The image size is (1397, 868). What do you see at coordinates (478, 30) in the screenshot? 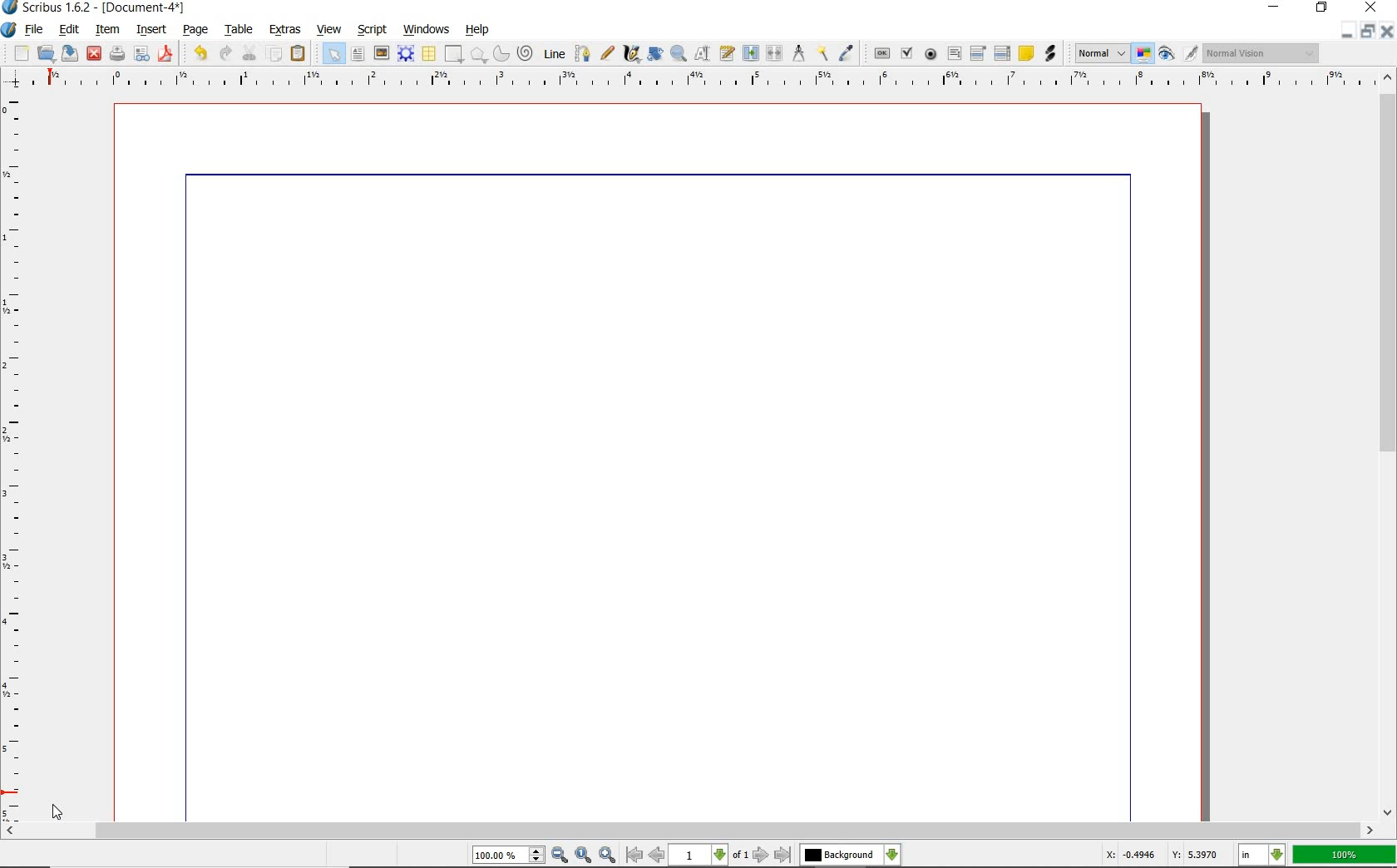
I see `help` at bounding box center [478, 30].